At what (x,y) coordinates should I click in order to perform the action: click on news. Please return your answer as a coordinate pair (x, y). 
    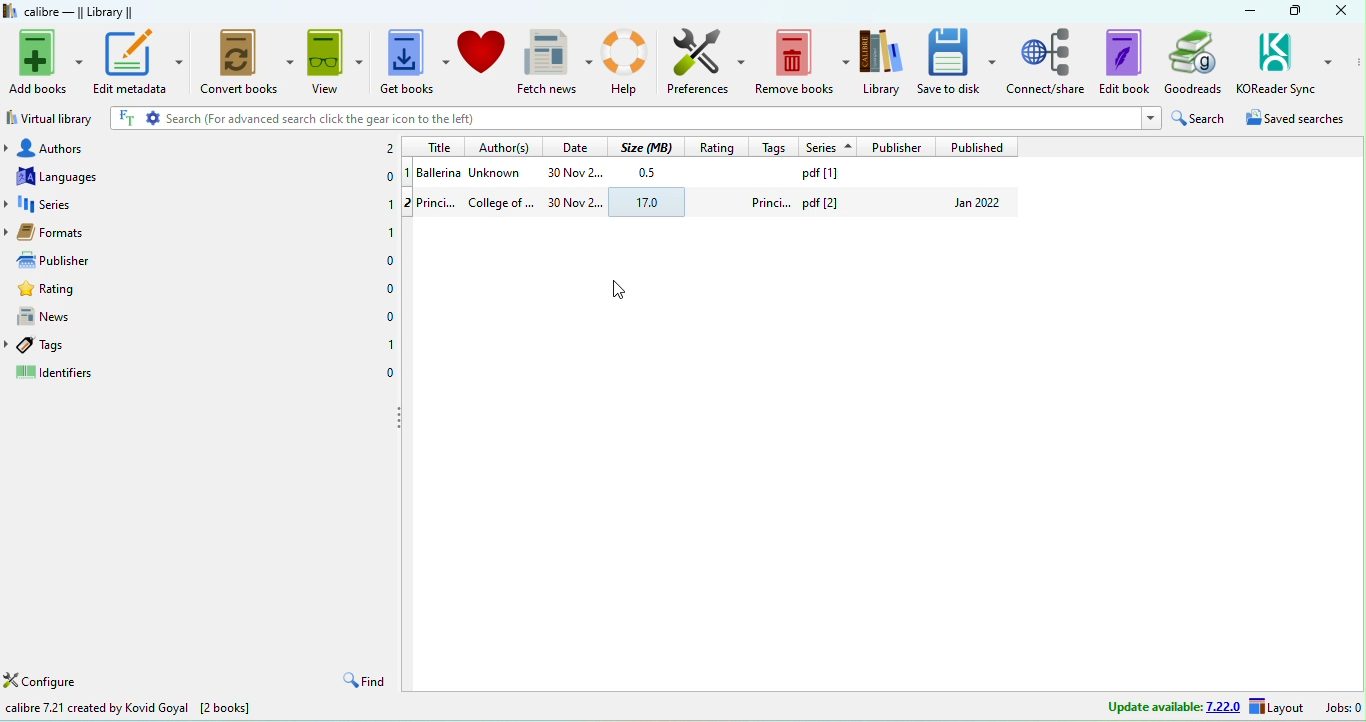
    Looking at the image, I should click on (71, 315).